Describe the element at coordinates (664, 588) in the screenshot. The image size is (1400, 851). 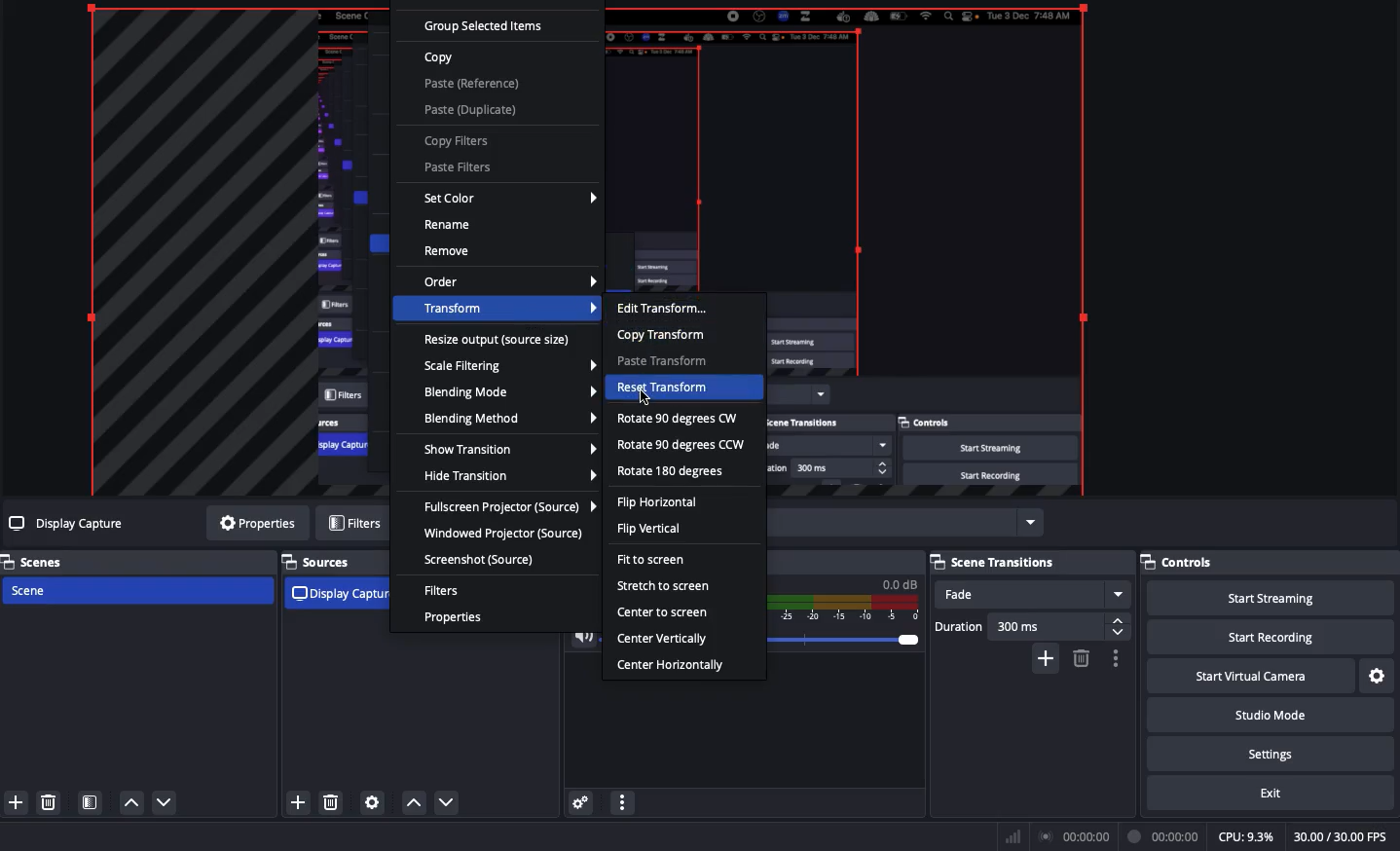
I see `Stretch to screen` at that location.